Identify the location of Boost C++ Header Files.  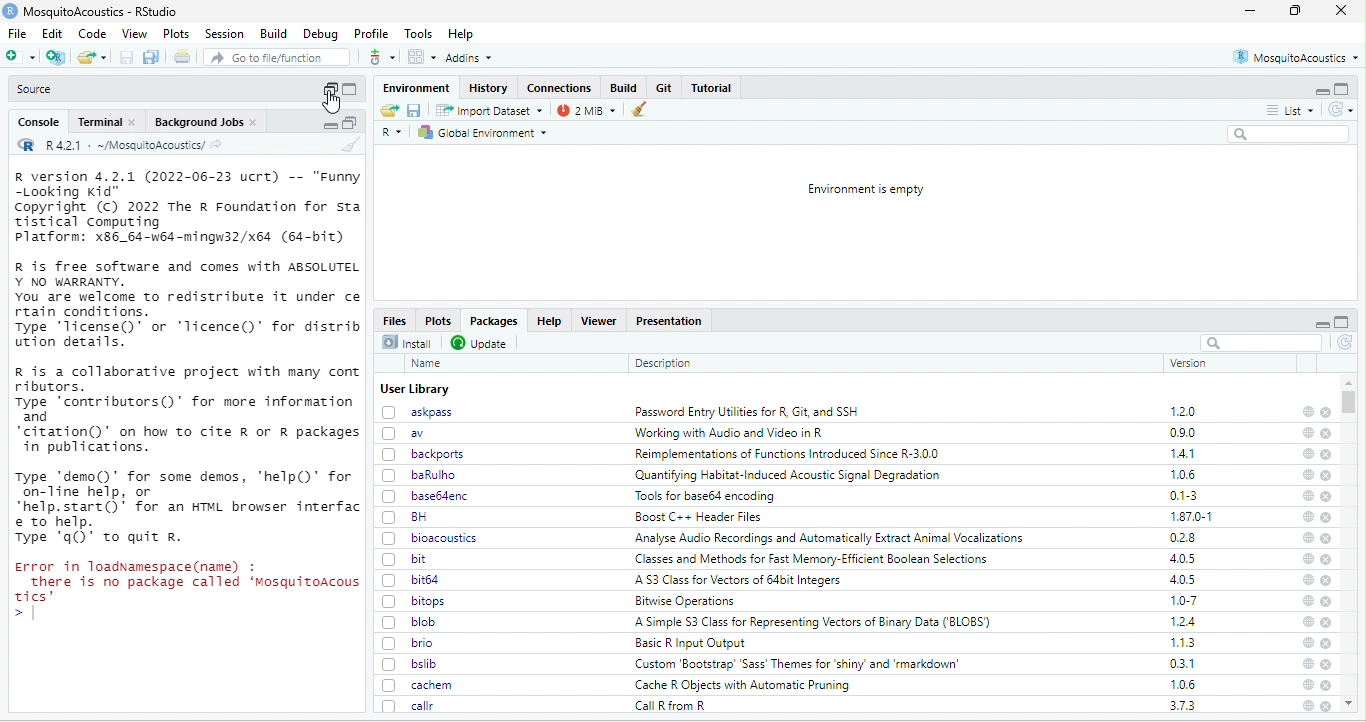
(699, 517).